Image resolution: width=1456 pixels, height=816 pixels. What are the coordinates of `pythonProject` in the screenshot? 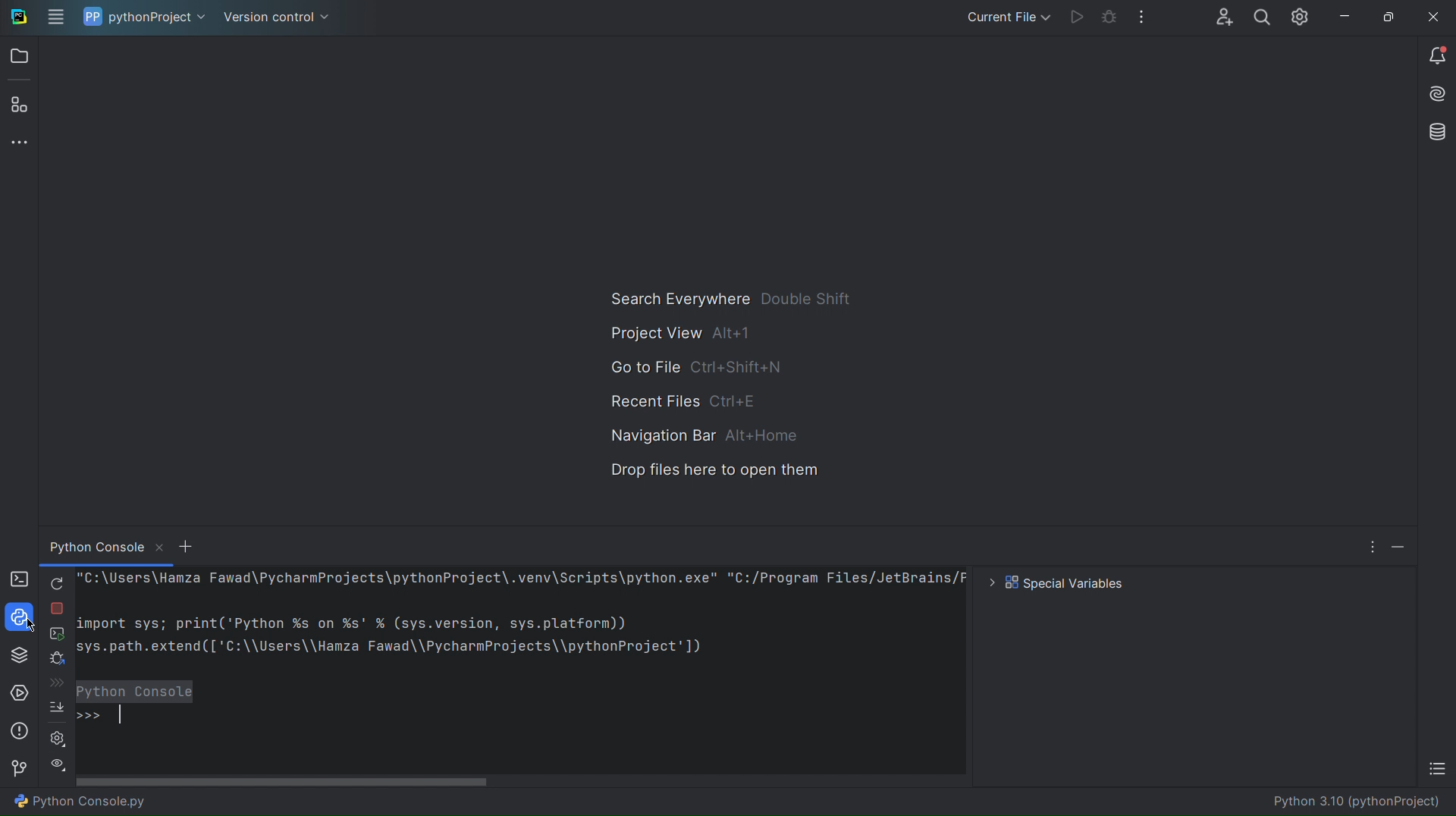 It's located at (139, 17).